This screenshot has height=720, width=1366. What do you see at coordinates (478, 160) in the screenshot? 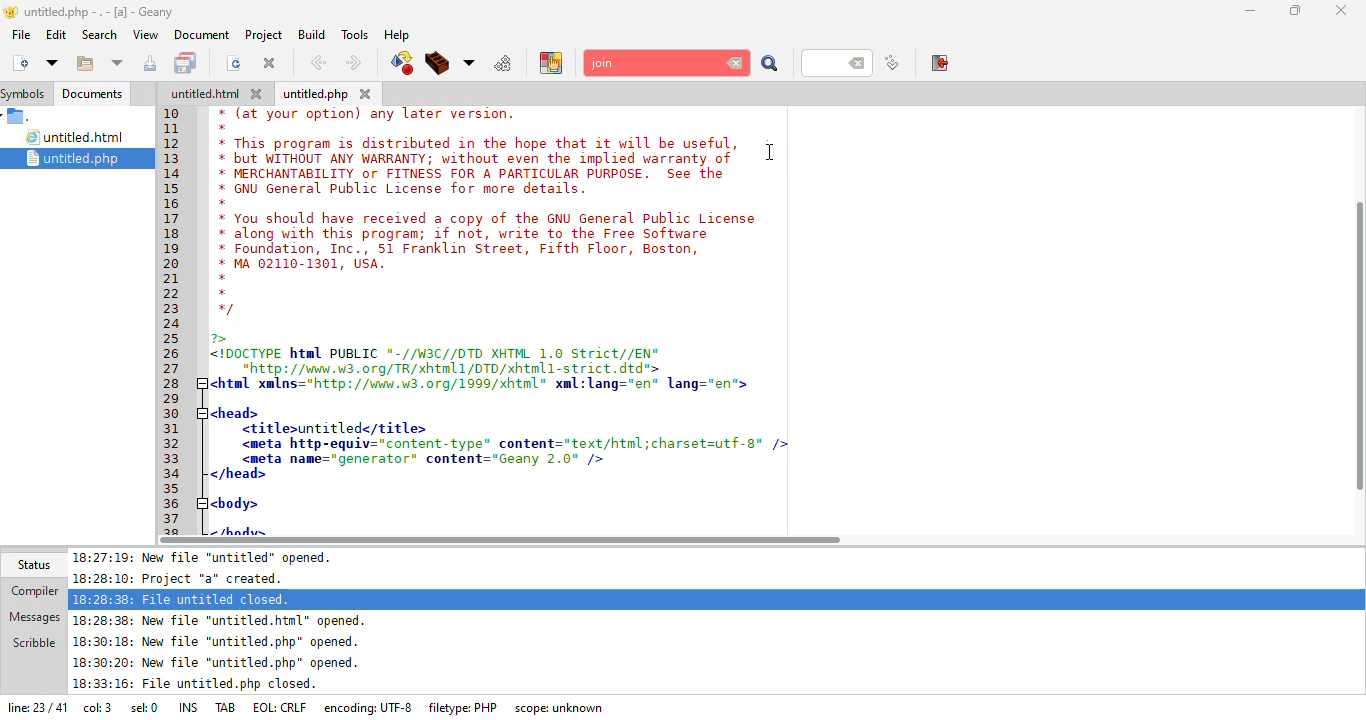
I see `* but without any warranty; without even the implied warranty of` at bounding box center [478, 160].